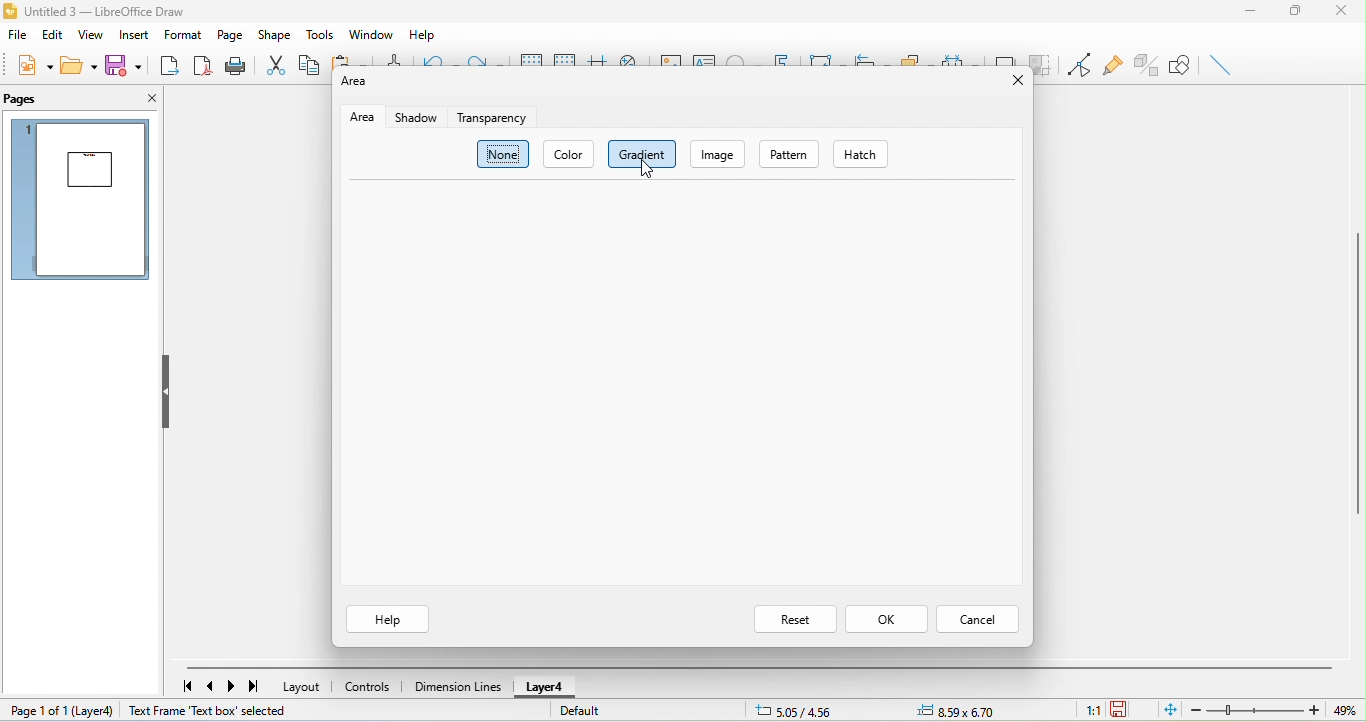 The image size is (1366, 722). I want to click on none, so click(504, 155).